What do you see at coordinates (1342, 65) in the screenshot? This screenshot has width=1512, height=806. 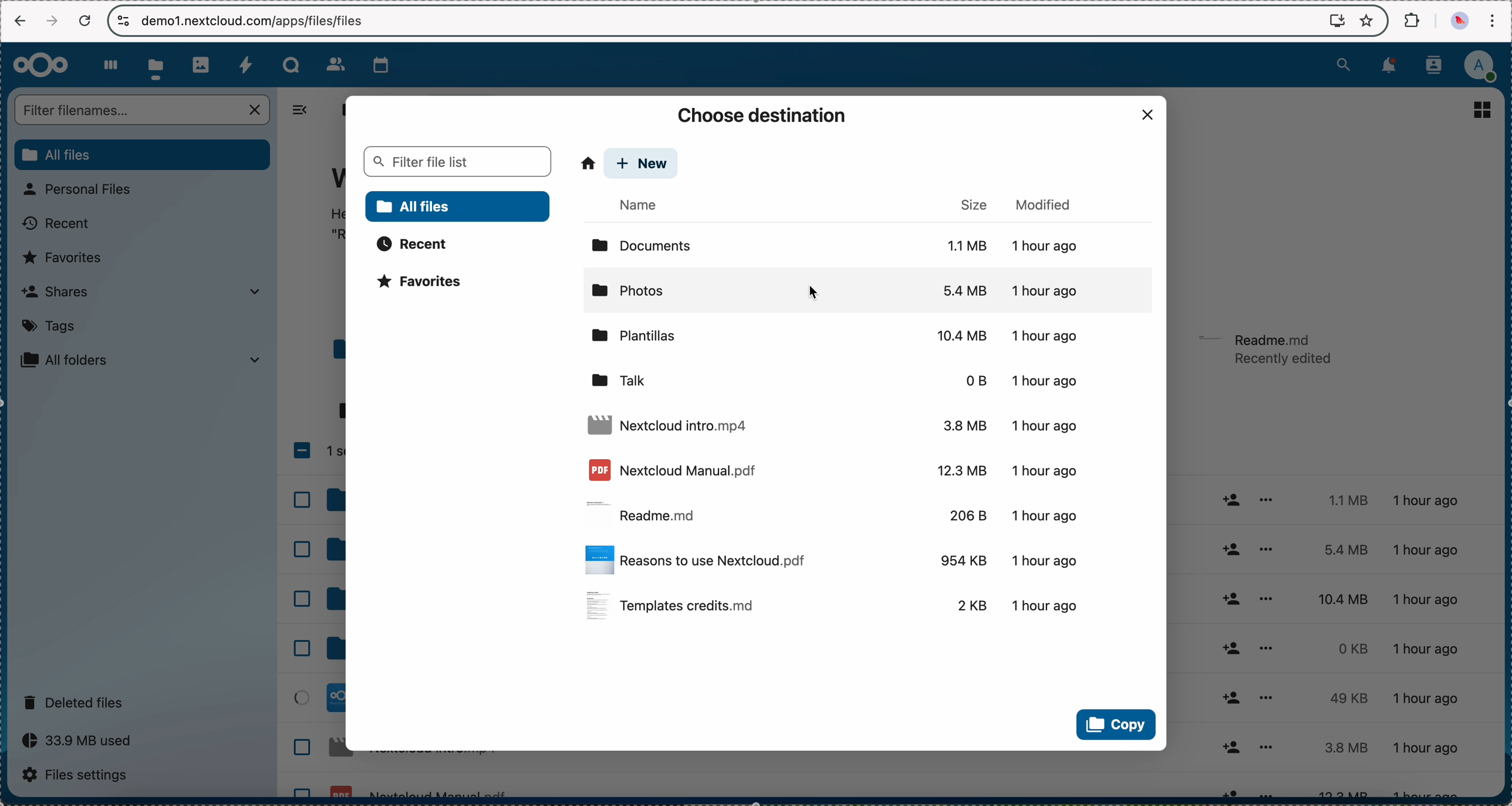 I see `search` at bounding box center [1342, 65].